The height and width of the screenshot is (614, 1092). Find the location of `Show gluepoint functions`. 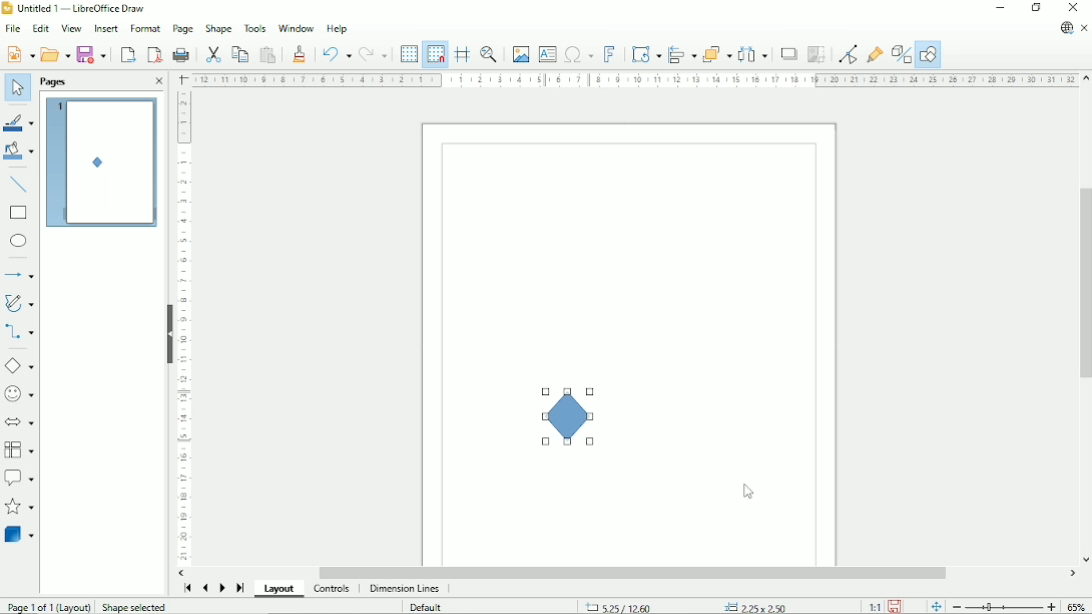

Show gluepoint functions is located at coordinates (875, 53).